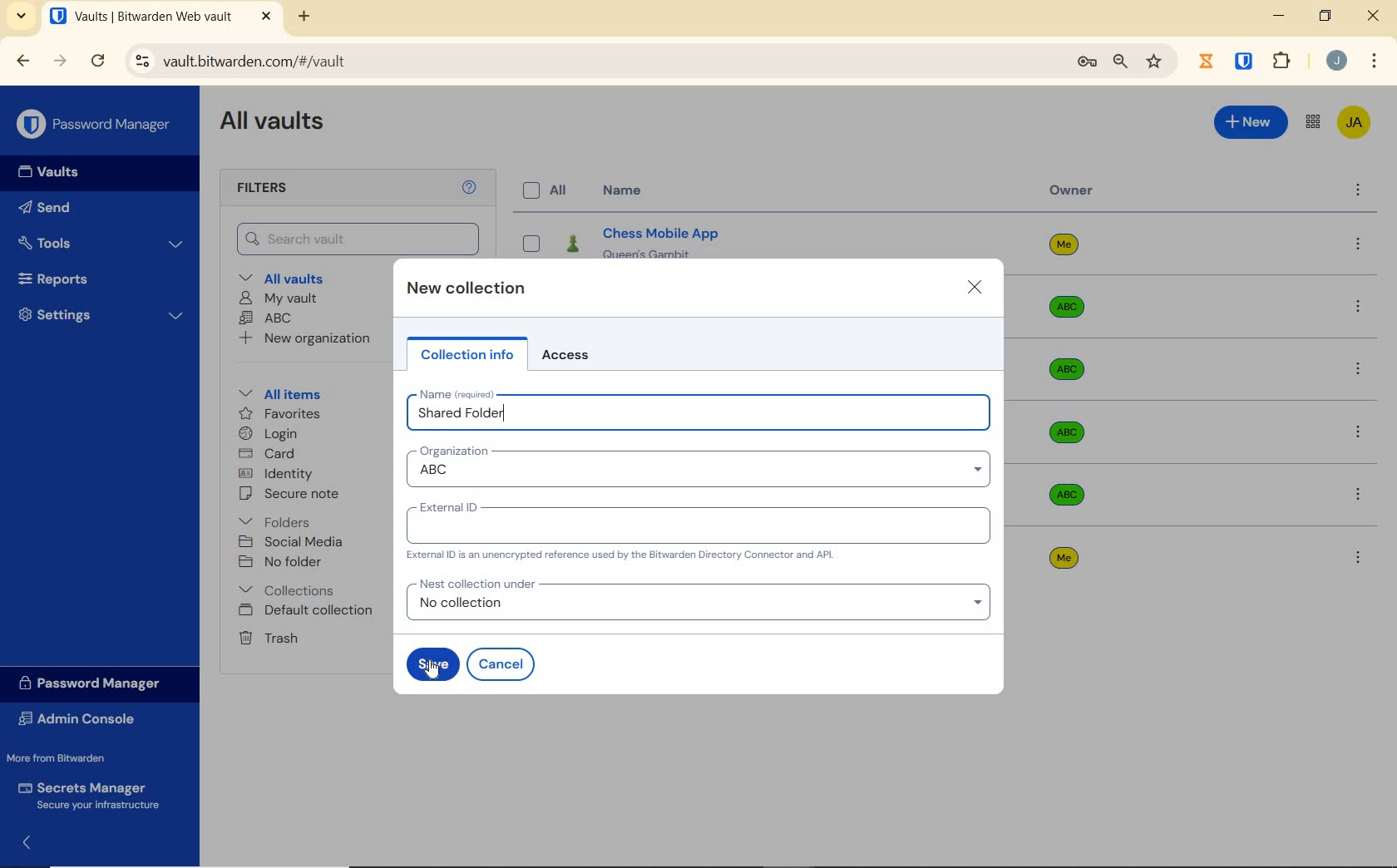  What do you see at coordinates (104, 318) in the screenshot?
I see `Settings` at bounding box center [104, 318].